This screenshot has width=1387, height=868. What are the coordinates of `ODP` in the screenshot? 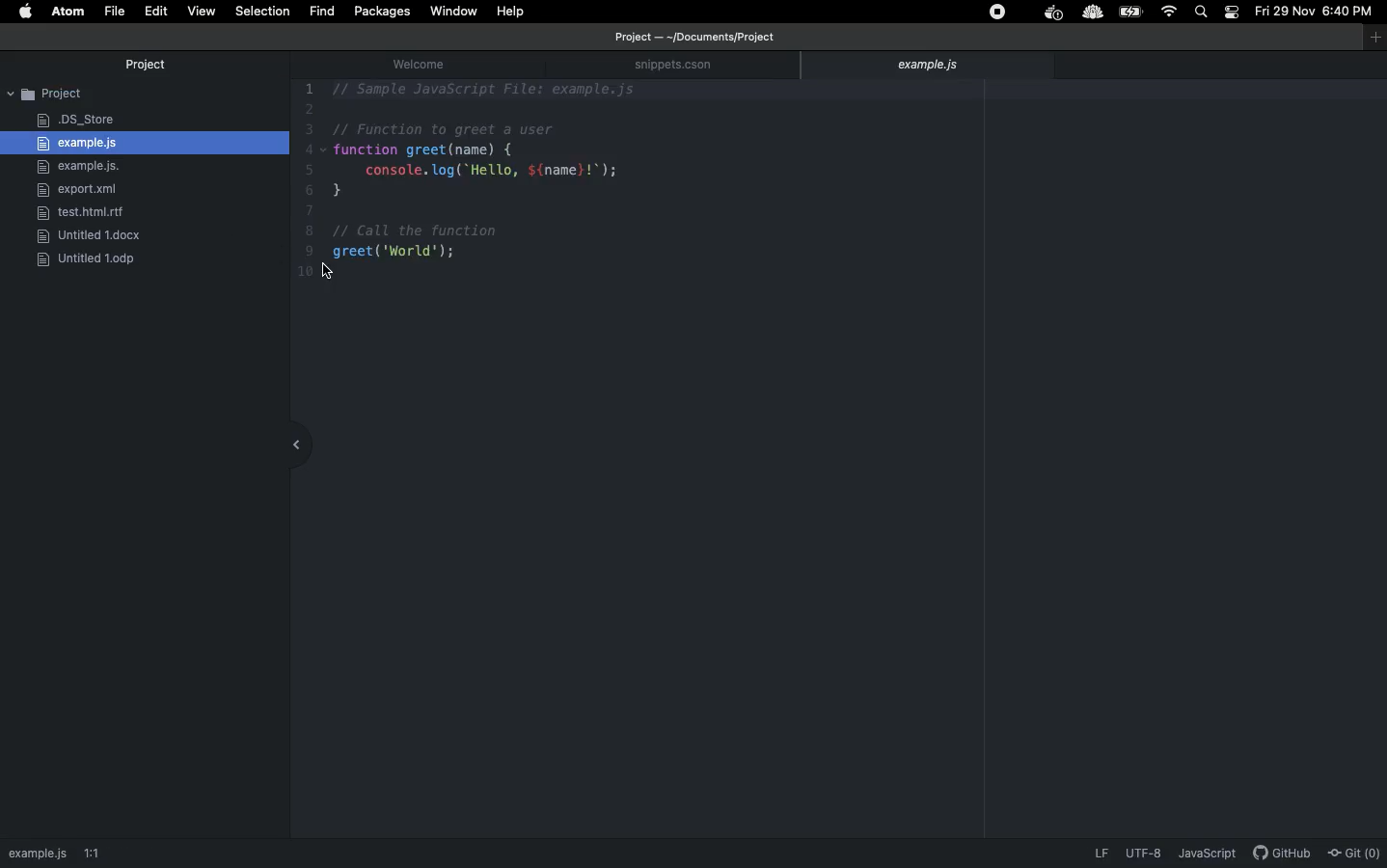 It's located at (95, 258).